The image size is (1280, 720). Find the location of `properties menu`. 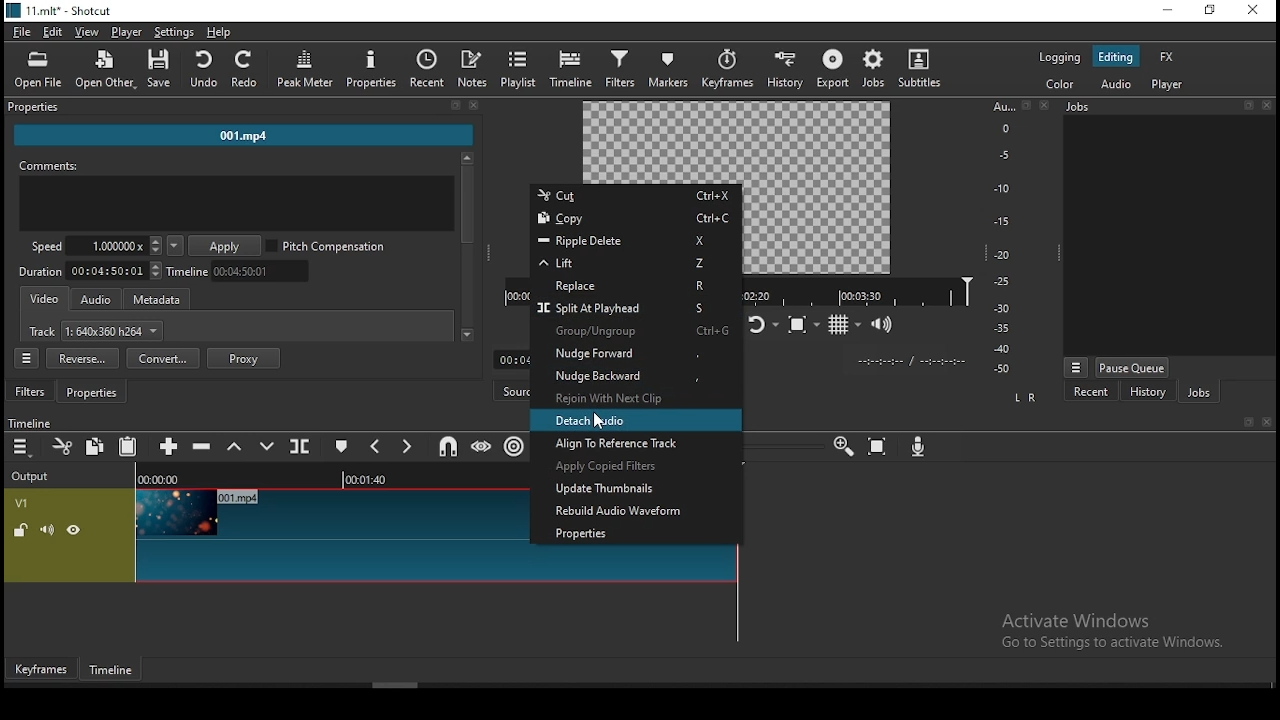

properties menu is located at coordinates (26, 358).